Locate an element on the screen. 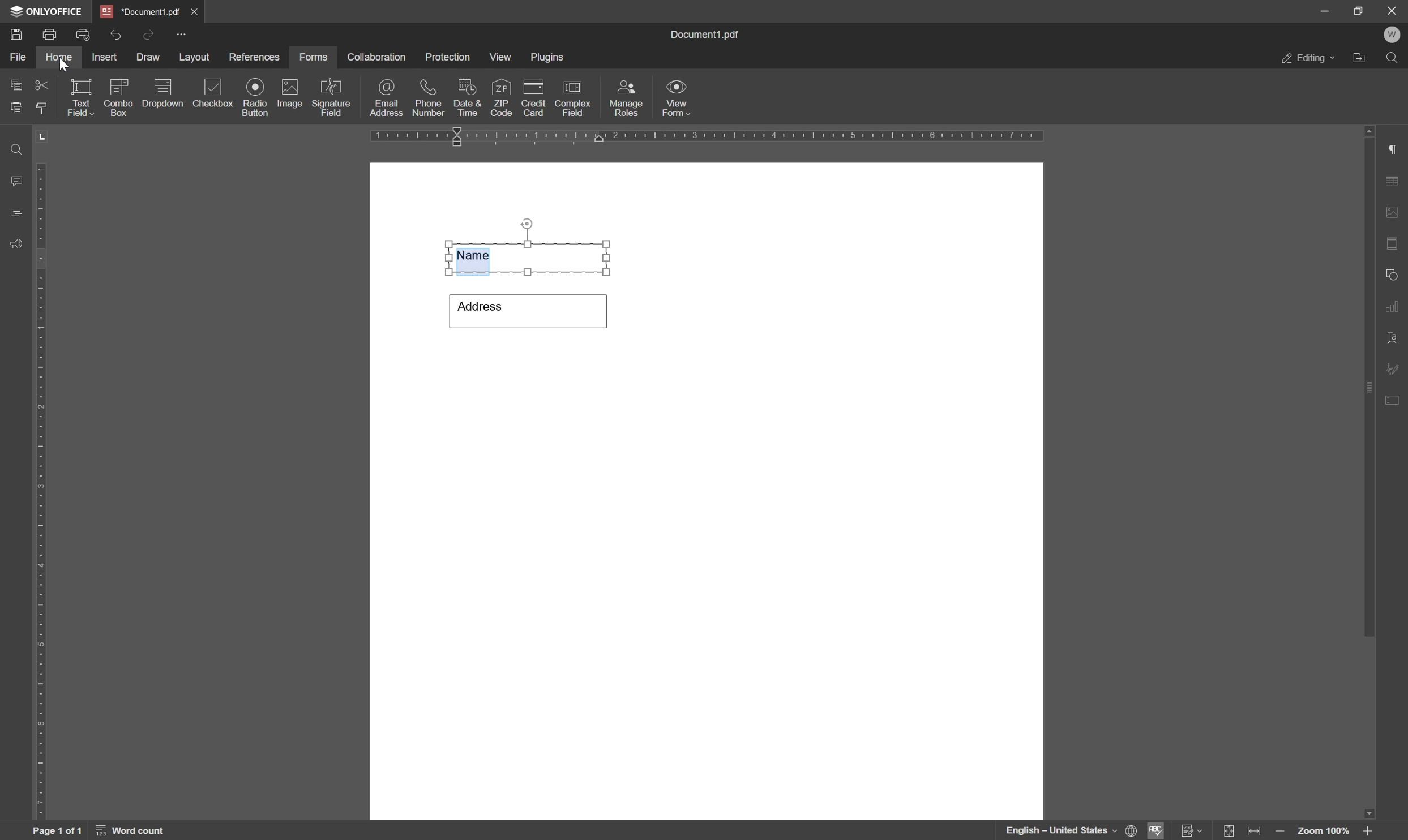  find is located at coordinates (14, 146).